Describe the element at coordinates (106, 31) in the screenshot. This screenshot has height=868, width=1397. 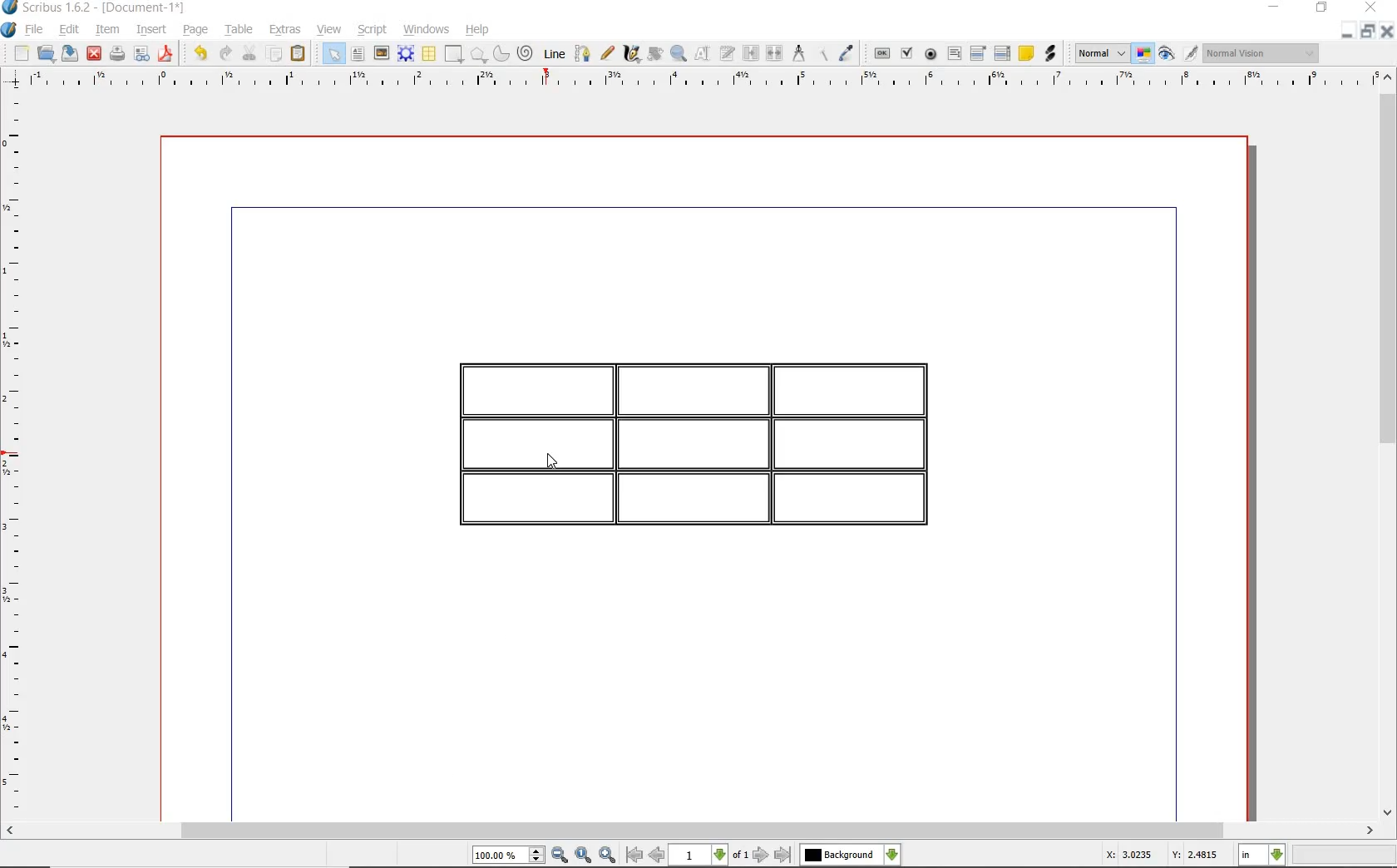
I see `item` at that location.